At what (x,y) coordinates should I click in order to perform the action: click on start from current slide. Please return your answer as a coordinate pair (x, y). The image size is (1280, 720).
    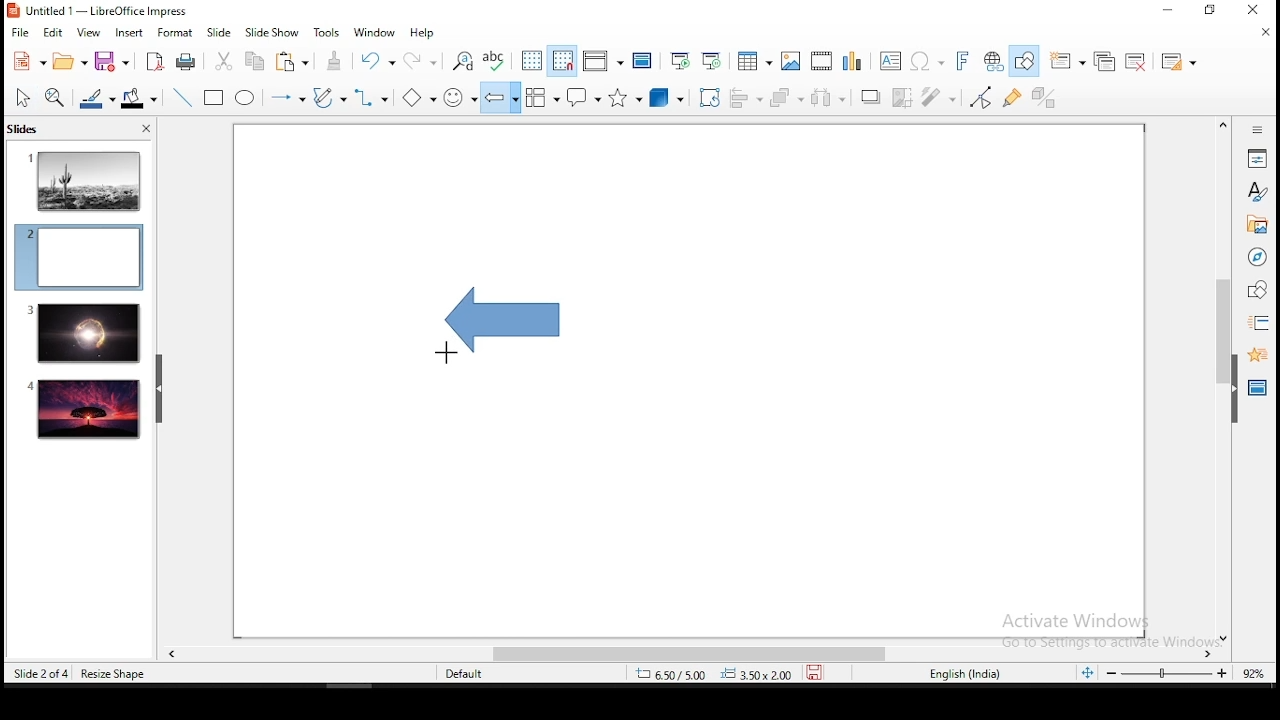
    Looking at the image, I should click on (713, 60).